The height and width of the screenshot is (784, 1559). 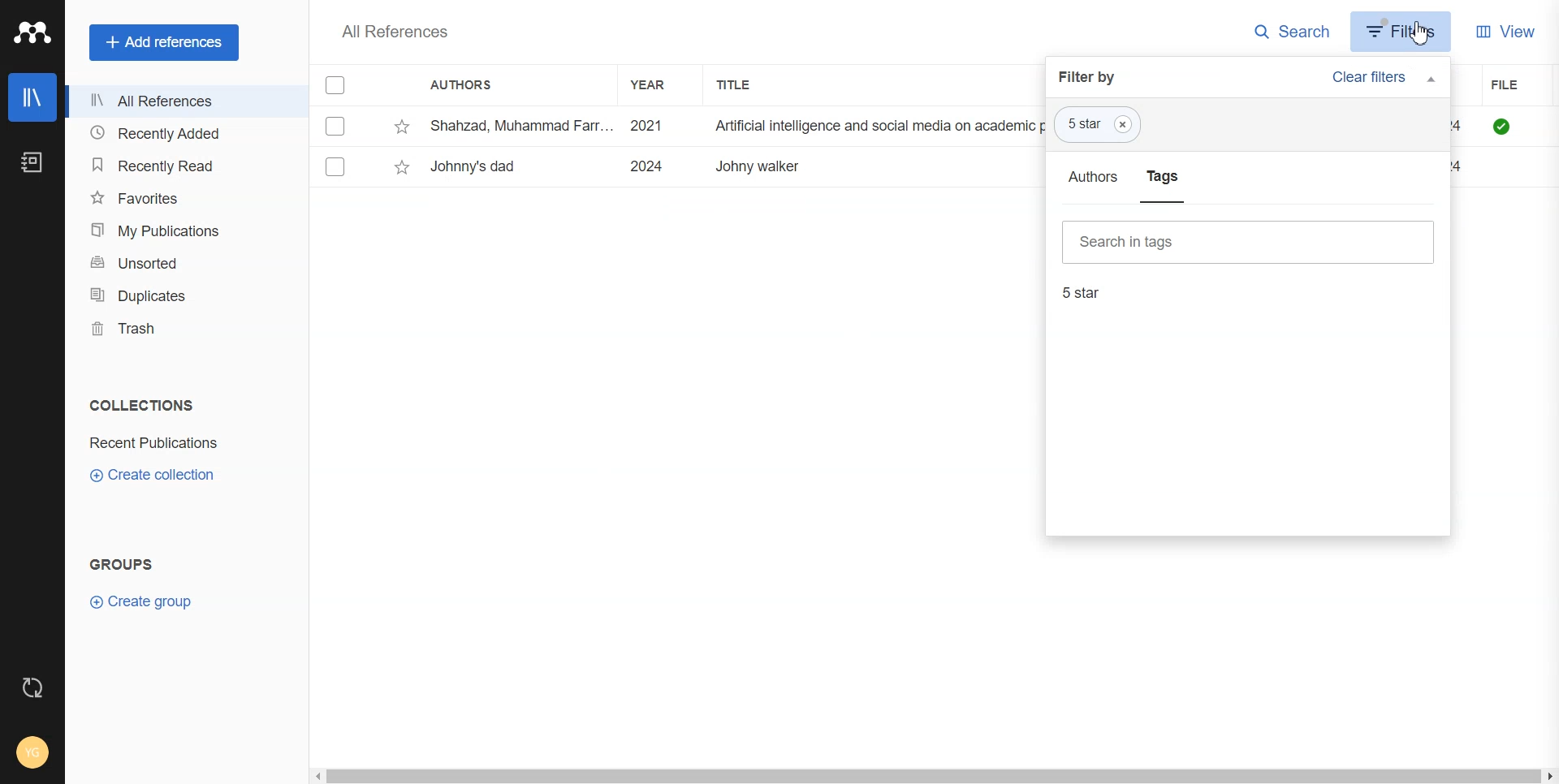 What do you see at coordinates (394, 31) in the screenshot?
I see `Text` at bounding box center [394, 31].